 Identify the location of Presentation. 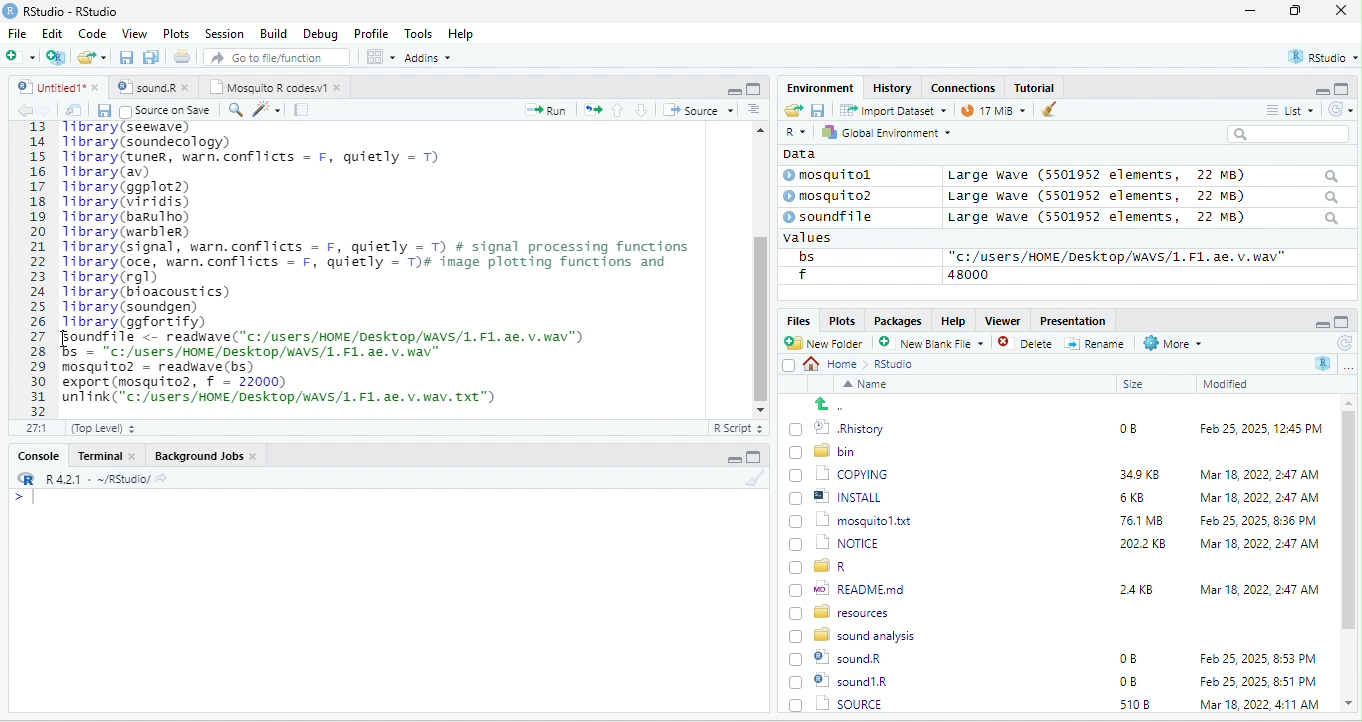
(1071, 320).